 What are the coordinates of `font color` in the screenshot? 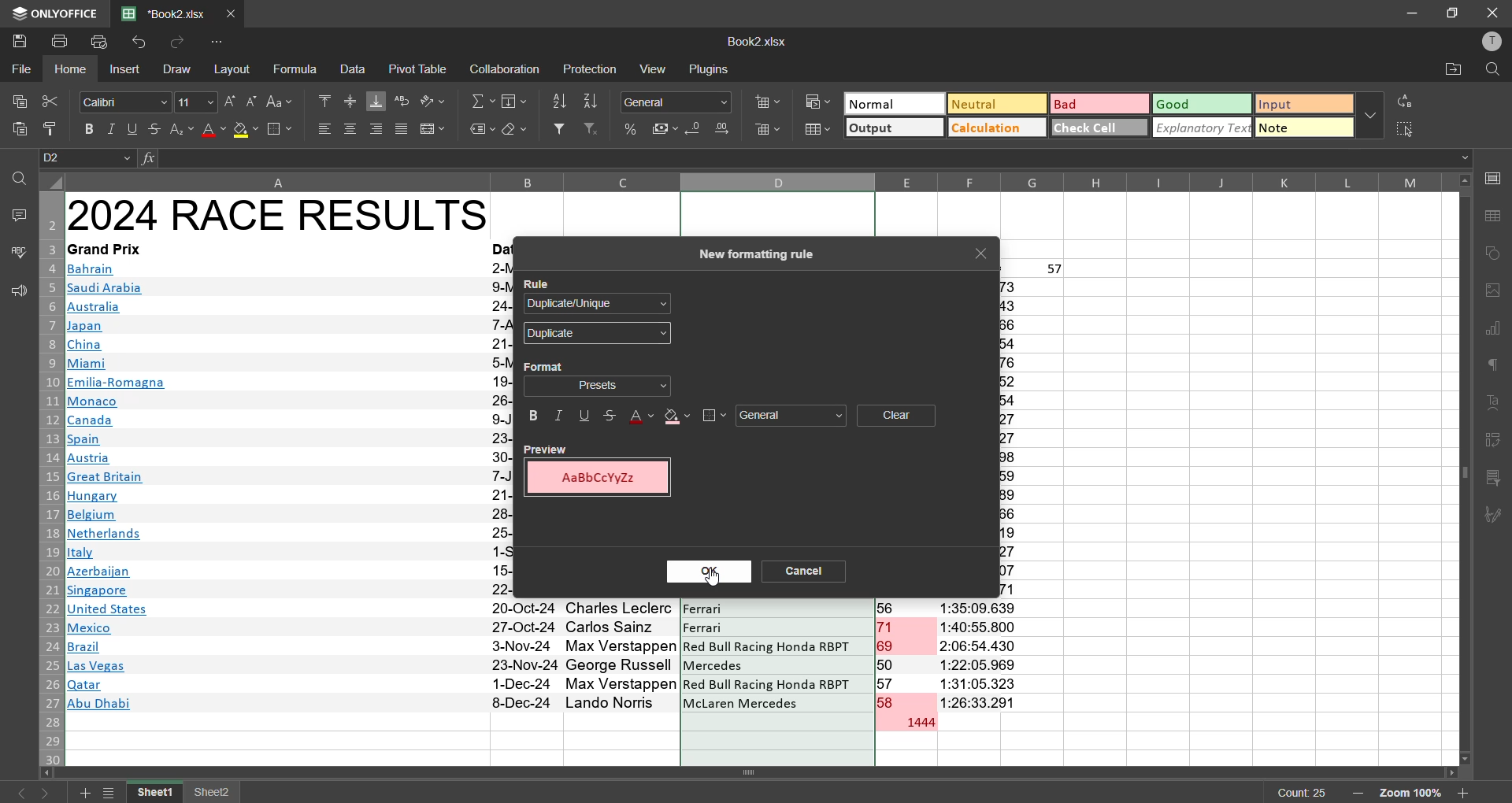 It's located at (213, 129).